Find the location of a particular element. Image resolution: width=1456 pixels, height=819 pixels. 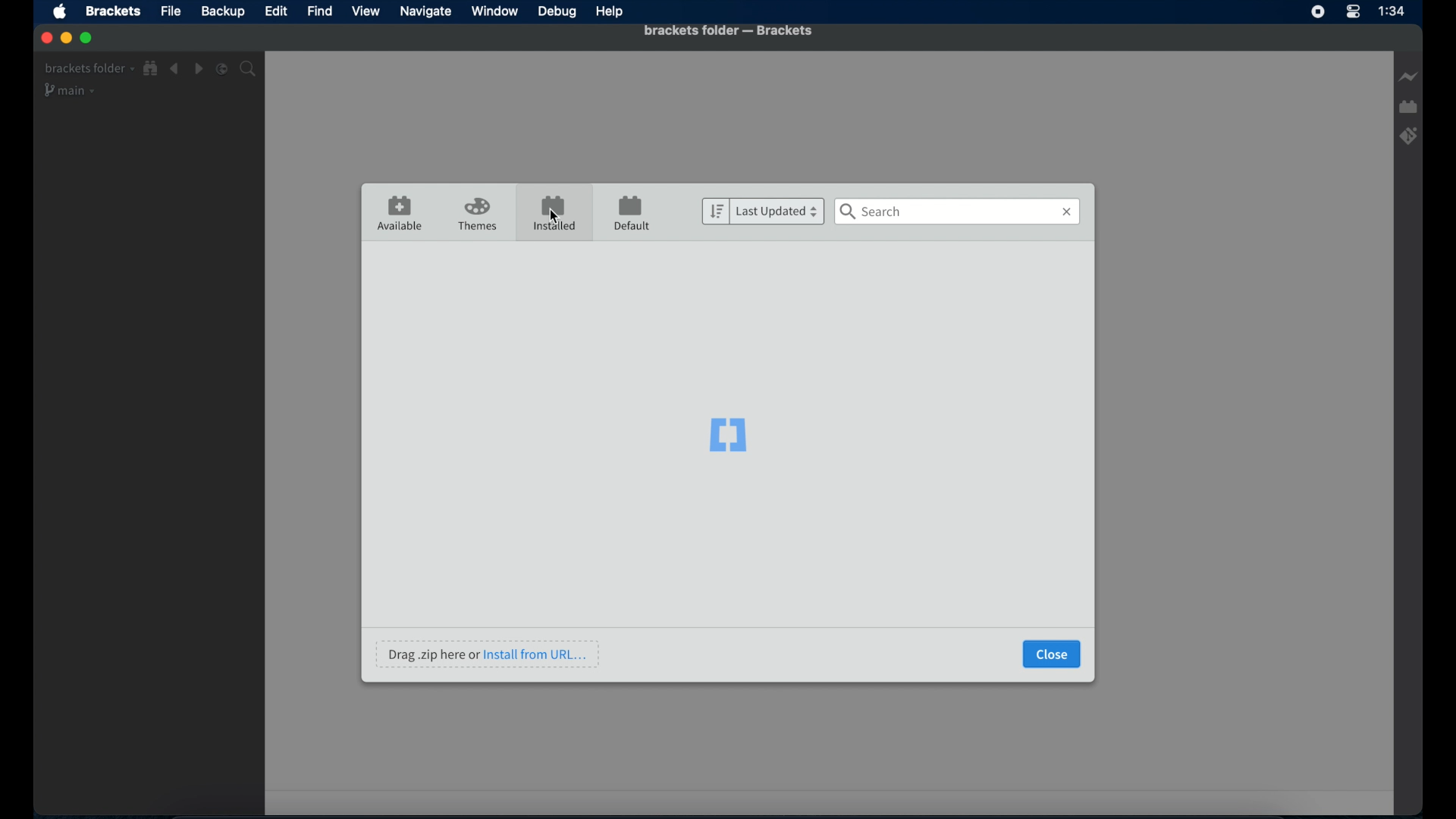

Brackets folder is located at coordinates (89, 69).